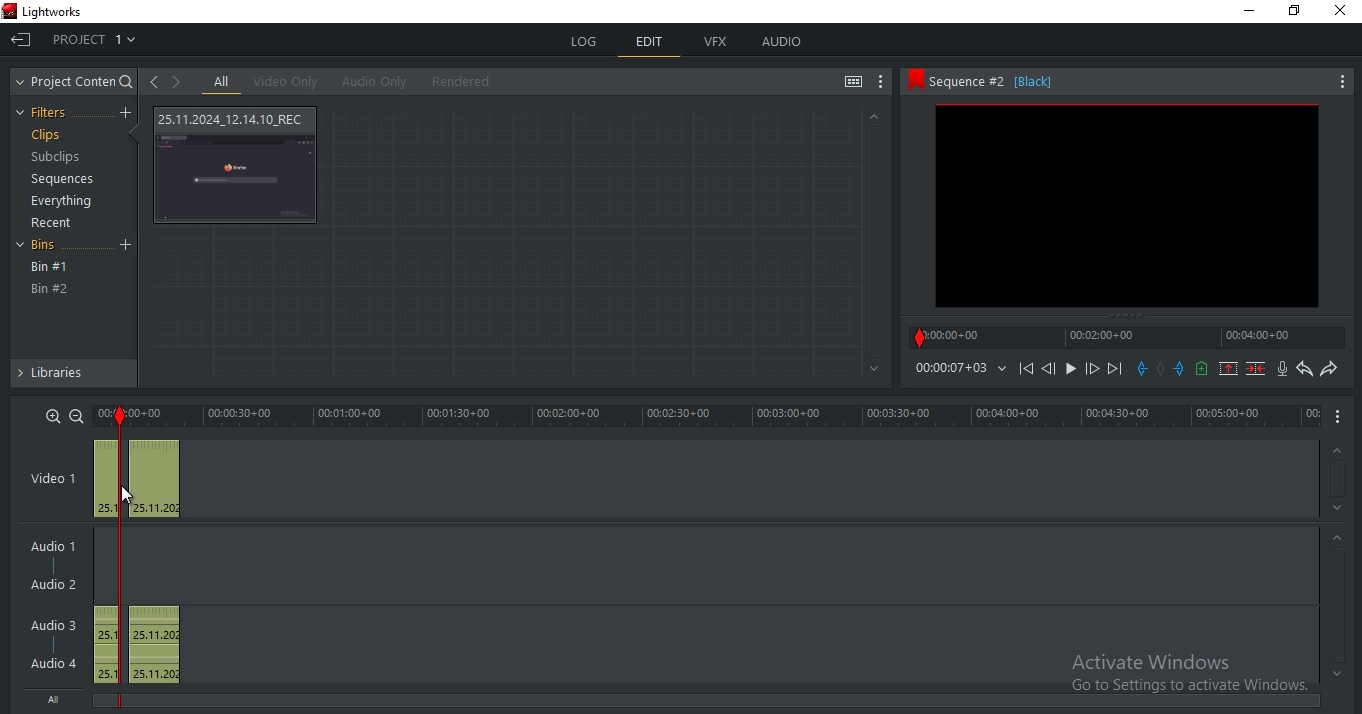  I want to click on clips, so click(45, 135).